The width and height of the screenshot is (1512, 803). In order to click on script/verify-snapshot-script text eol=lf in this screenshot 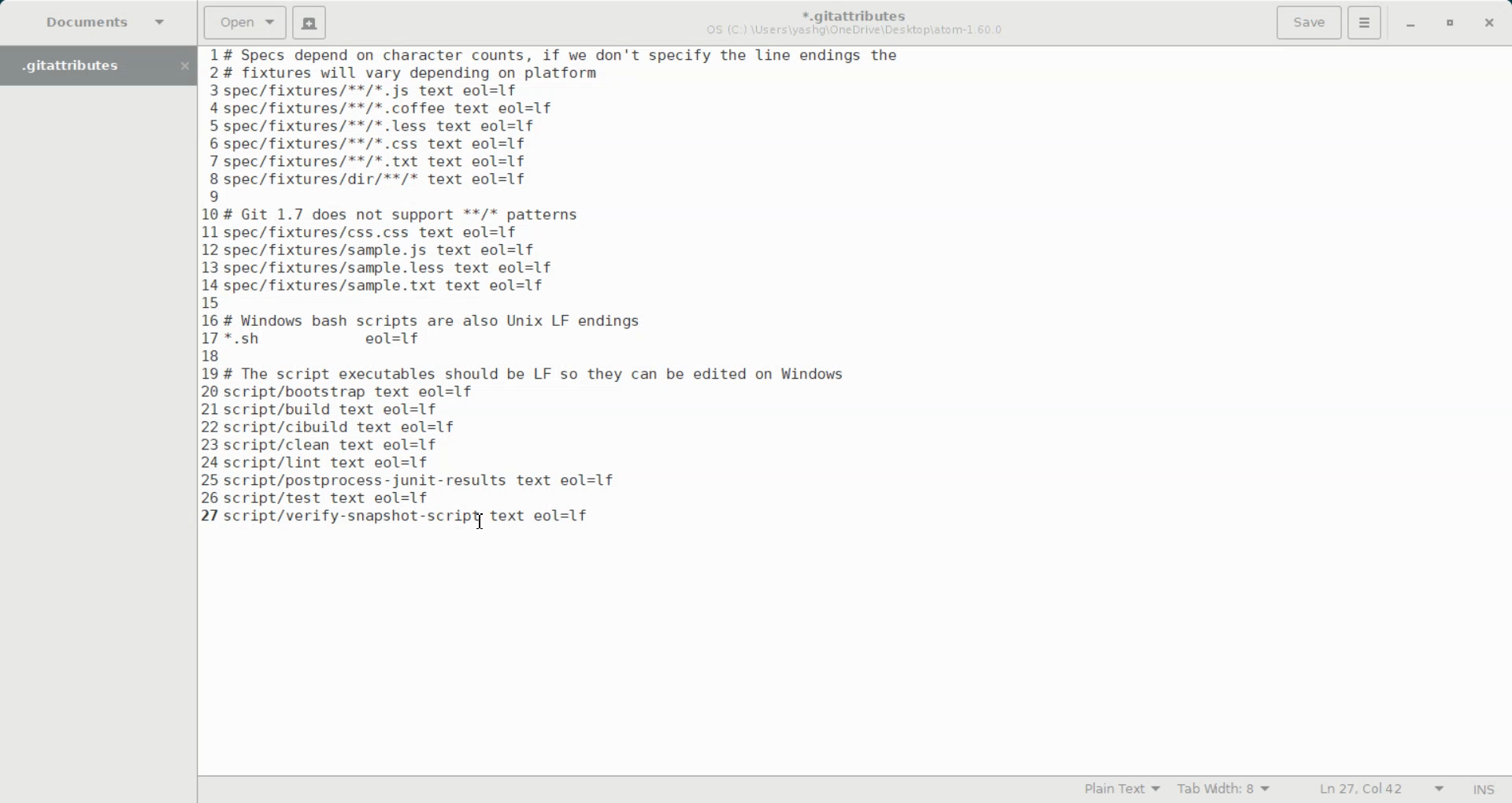, I will do `click(413, 516)`.